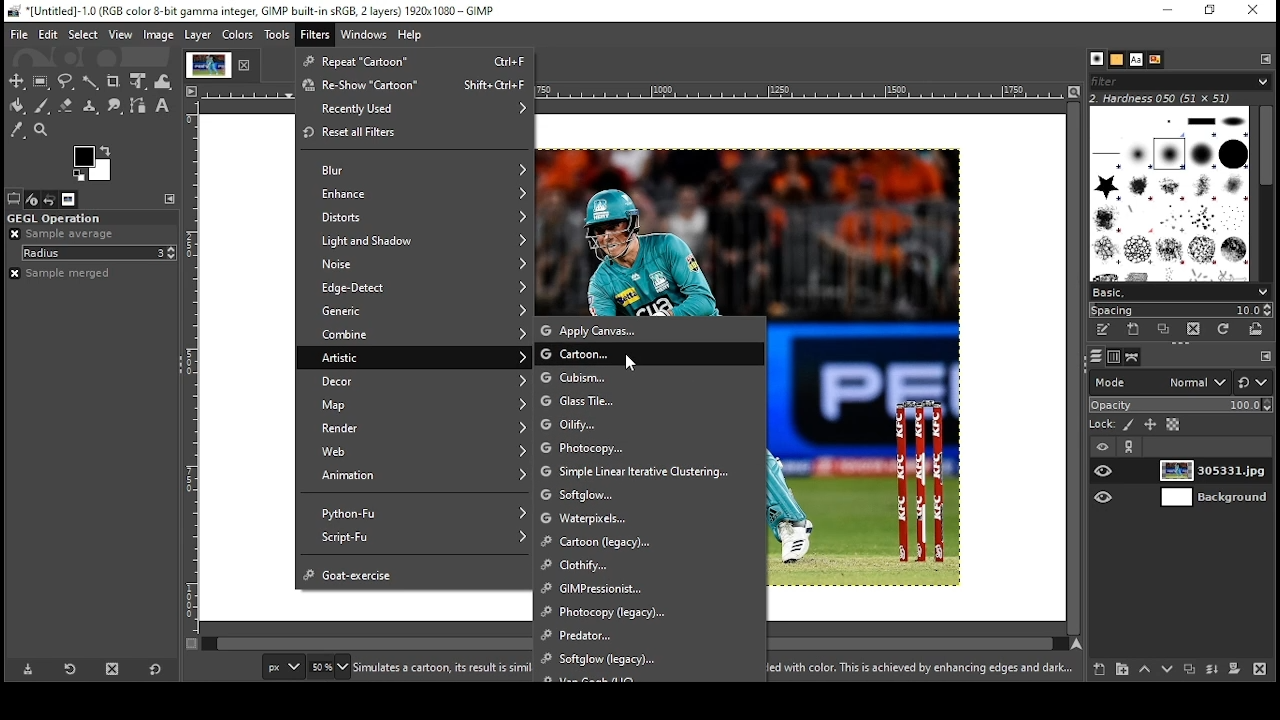 This screenshot has height=720, width=1280. I want to click on layer on/off, so click(1106, 473).